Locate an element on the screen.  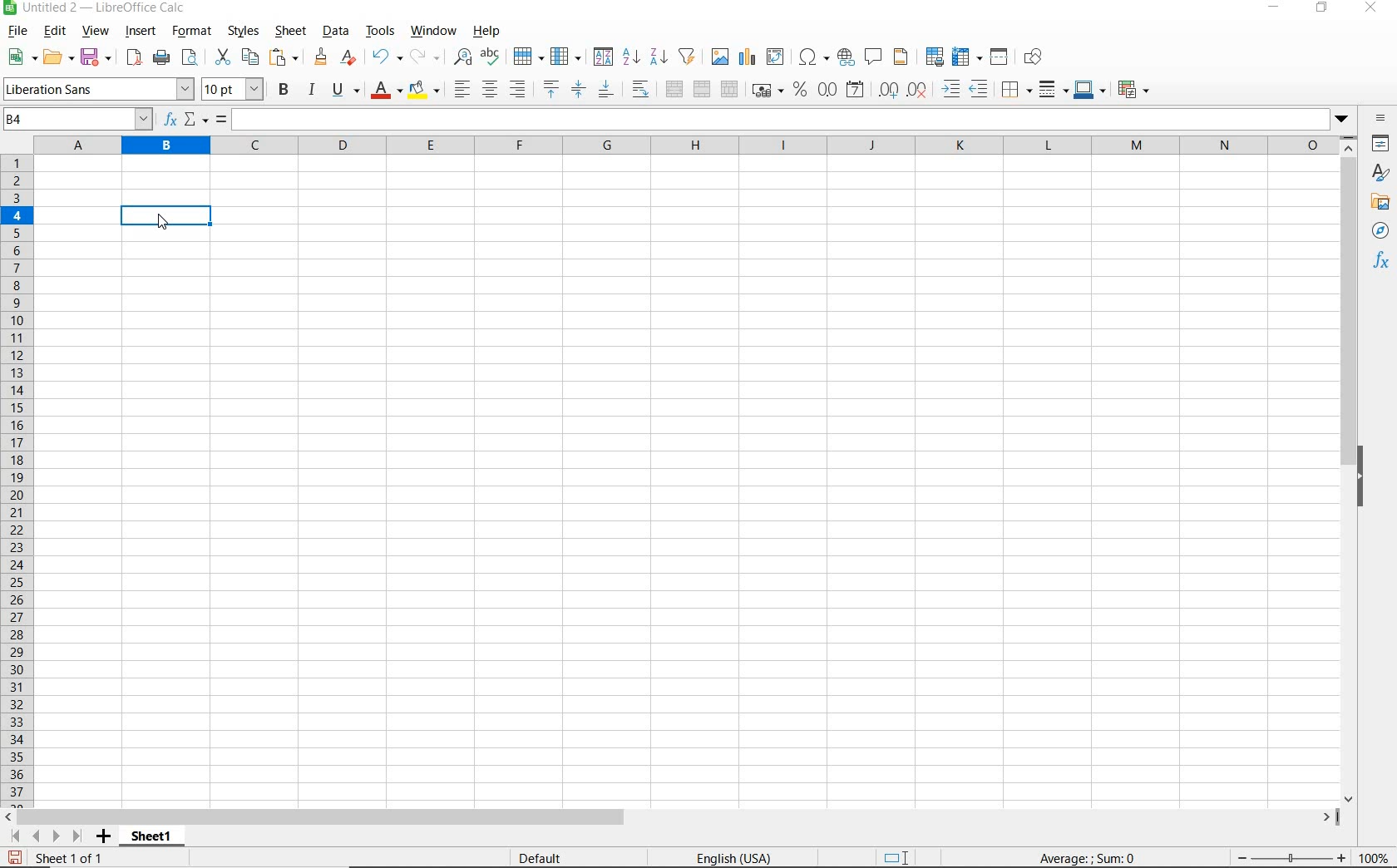
add decimal place is located at coordinates (888, 91).